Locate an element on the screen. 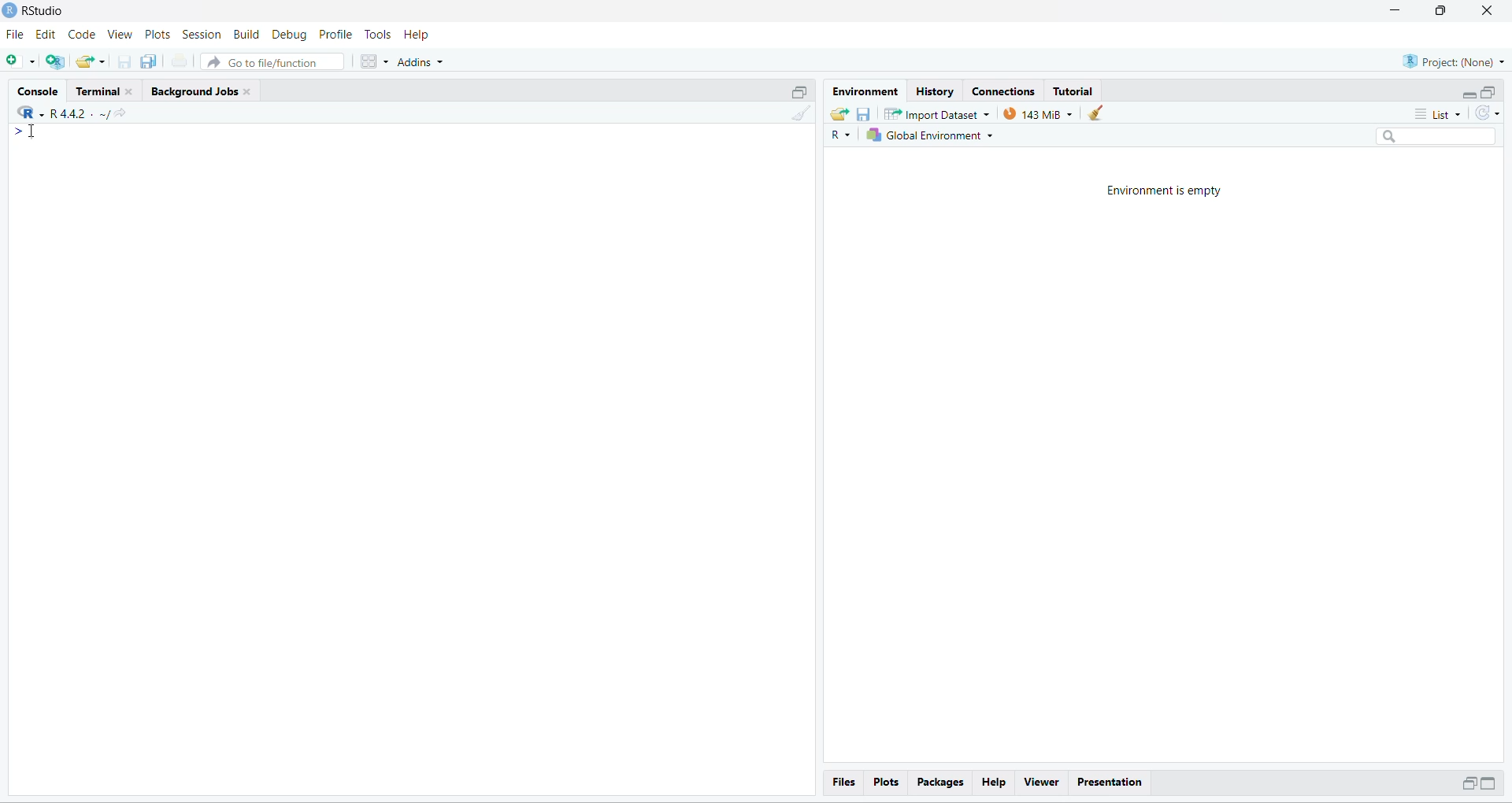  close is located at coordinates (247, 92).